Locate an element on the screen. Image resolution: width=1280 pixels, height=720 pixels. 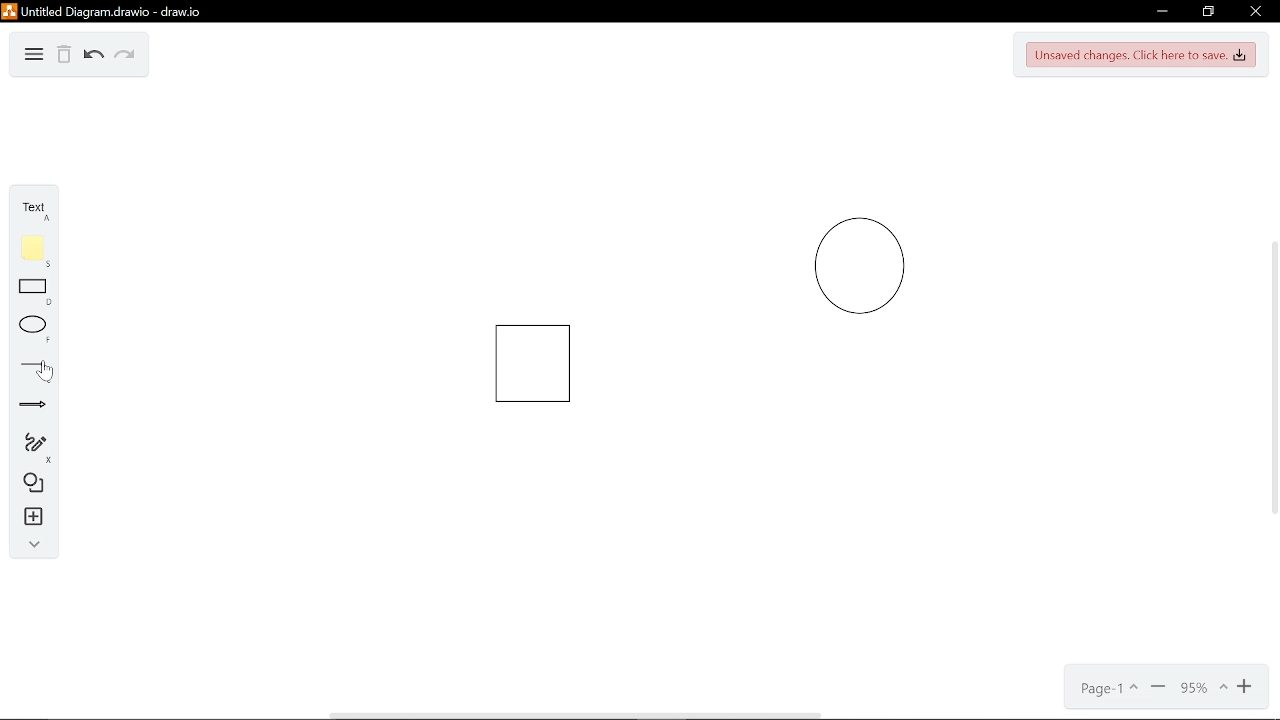
Delete is located at coordinates (64, 55).